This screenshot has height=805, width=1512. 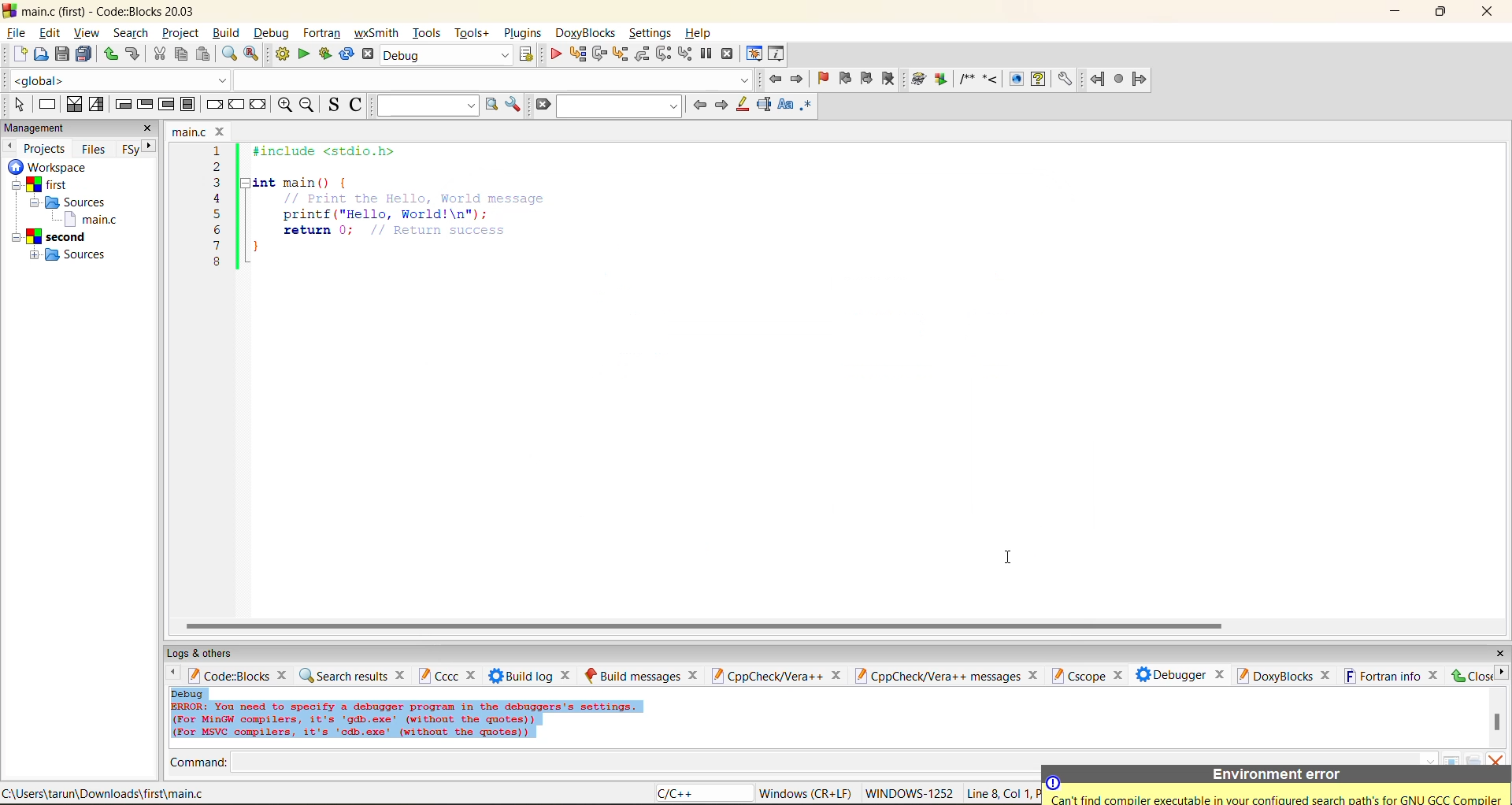 What do you see at coordinates (377, 33) in the screenshot?
I see `wxsmith` at bounding box center [377, 33].